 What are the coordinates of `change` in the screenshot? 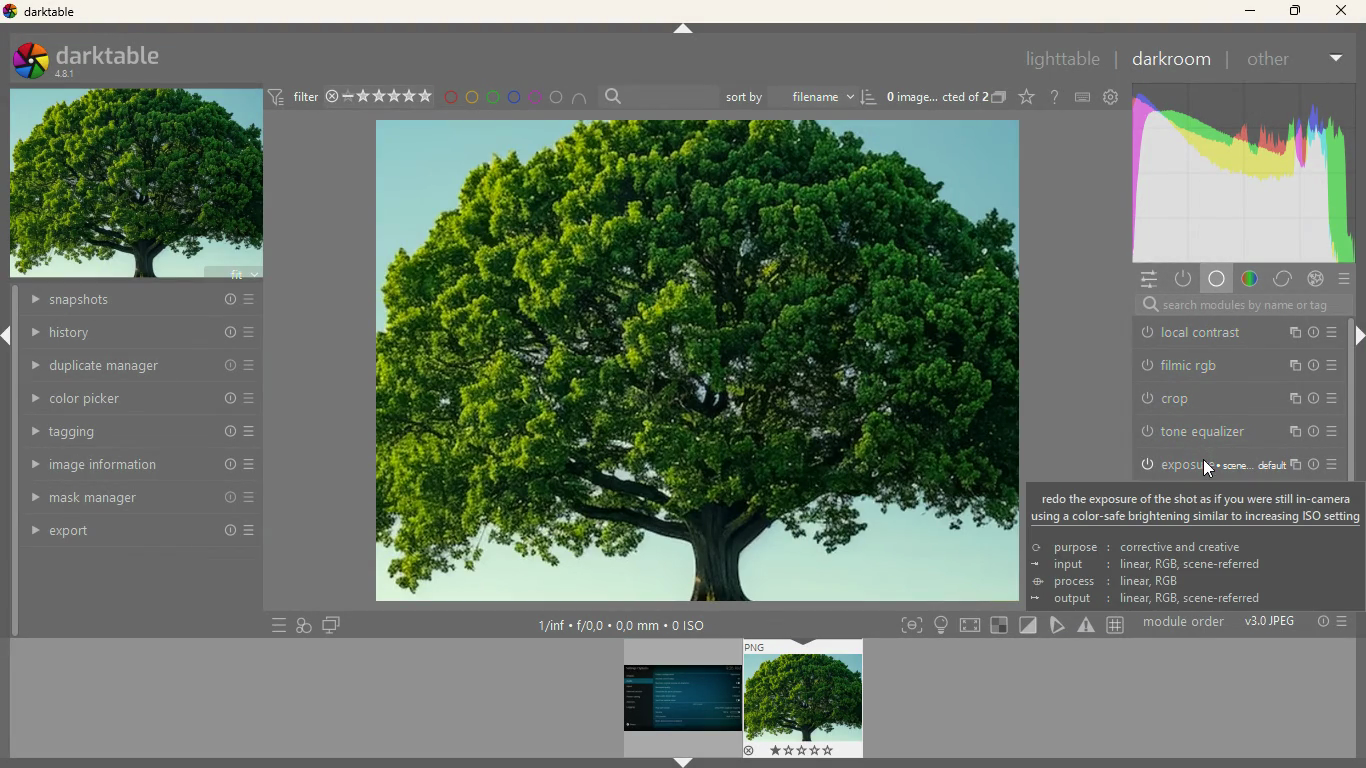 It's located at (1331, 331).